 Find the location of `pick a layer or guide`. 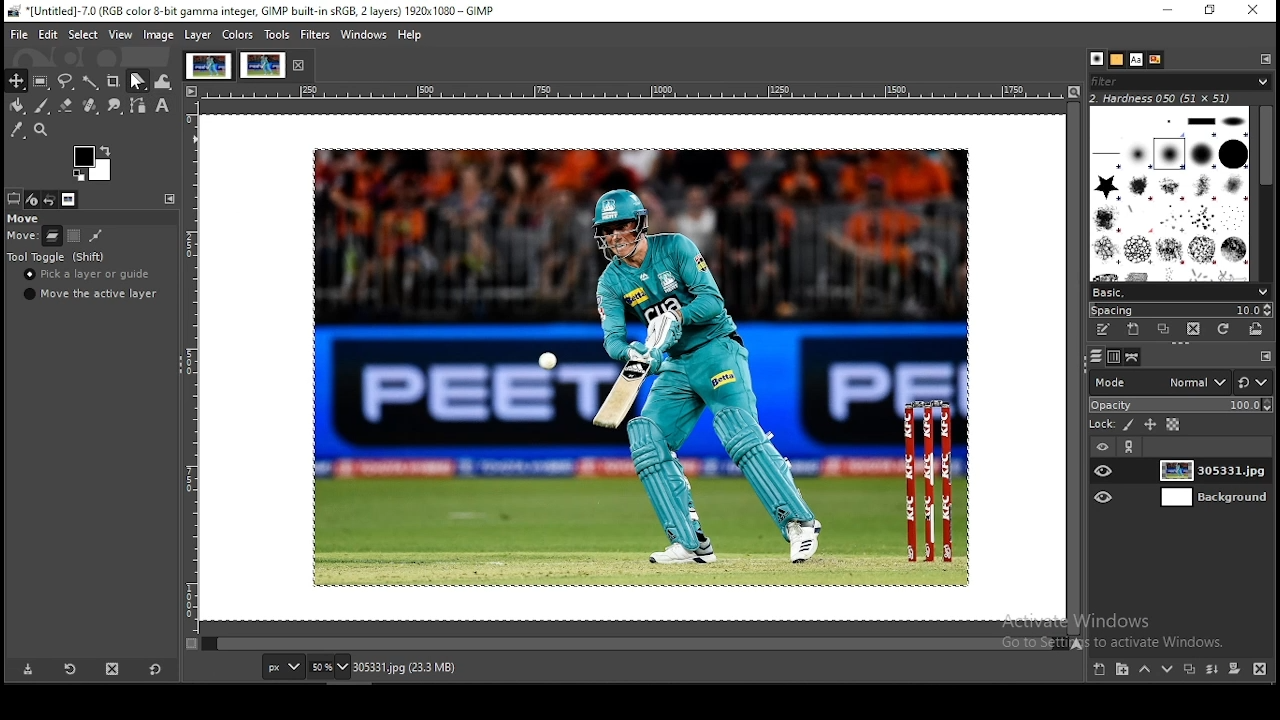

pick a layer or guide is located at coordinates (93, 274).